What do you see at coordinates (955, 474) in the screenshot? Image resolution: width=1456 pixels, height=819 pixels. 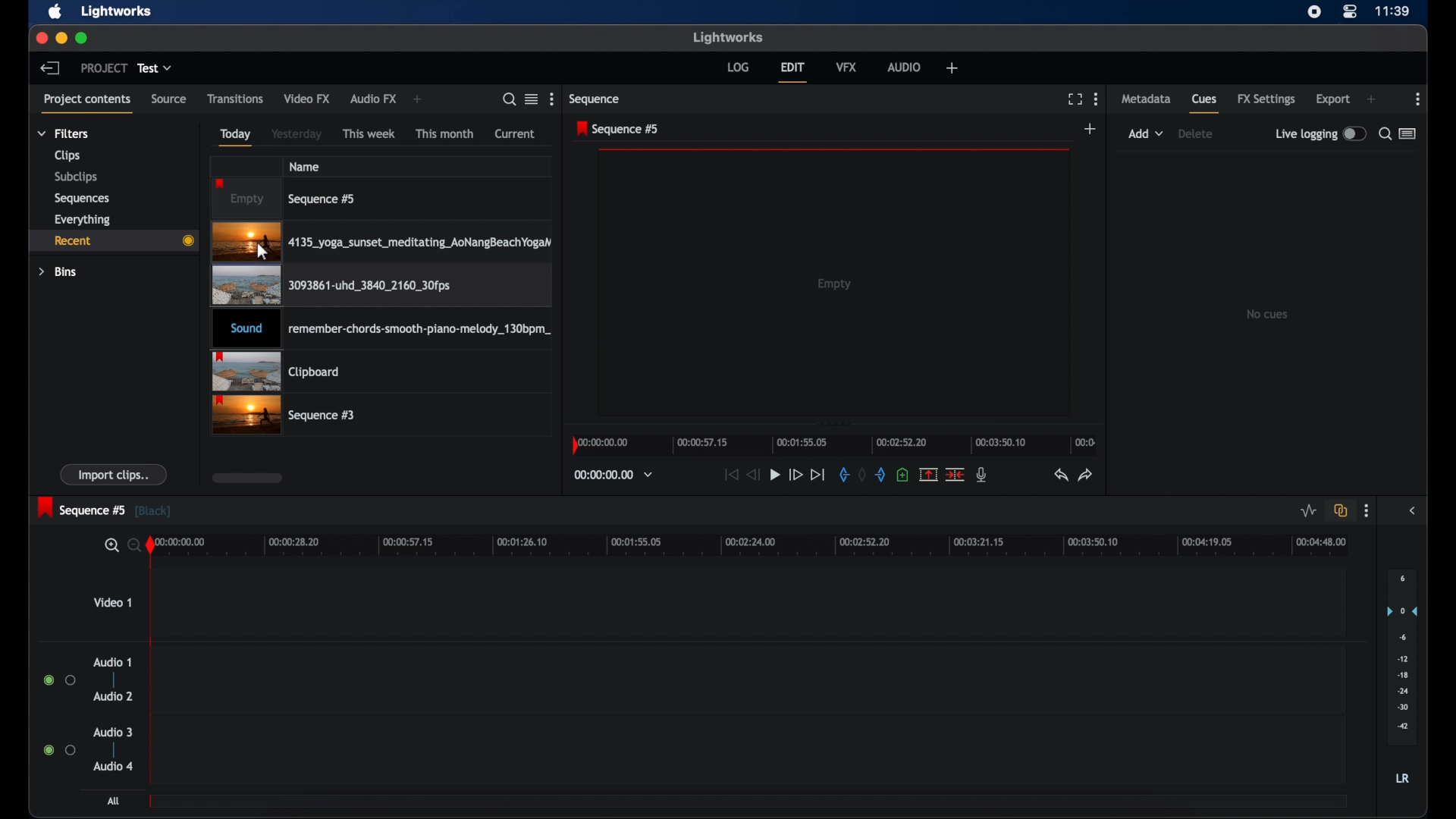 I see `cut` at bounding box center [955, 474].